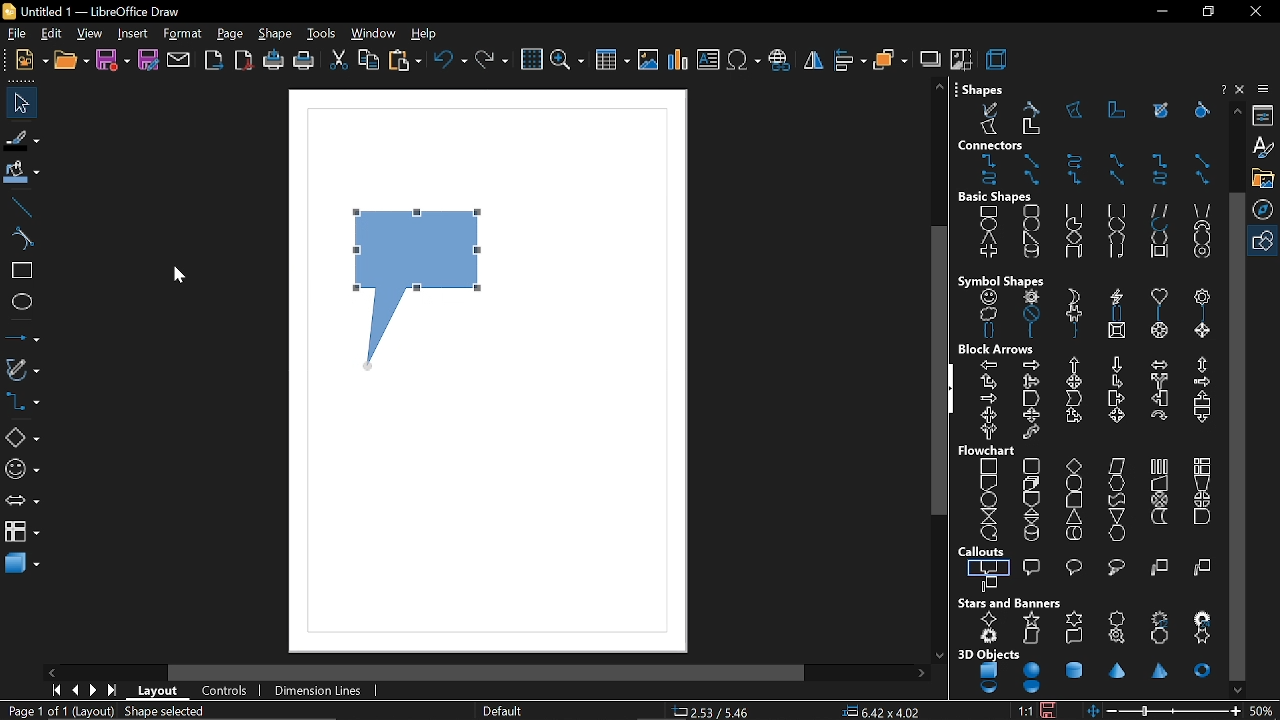  I want to click on ellipse, so click(990, 225).